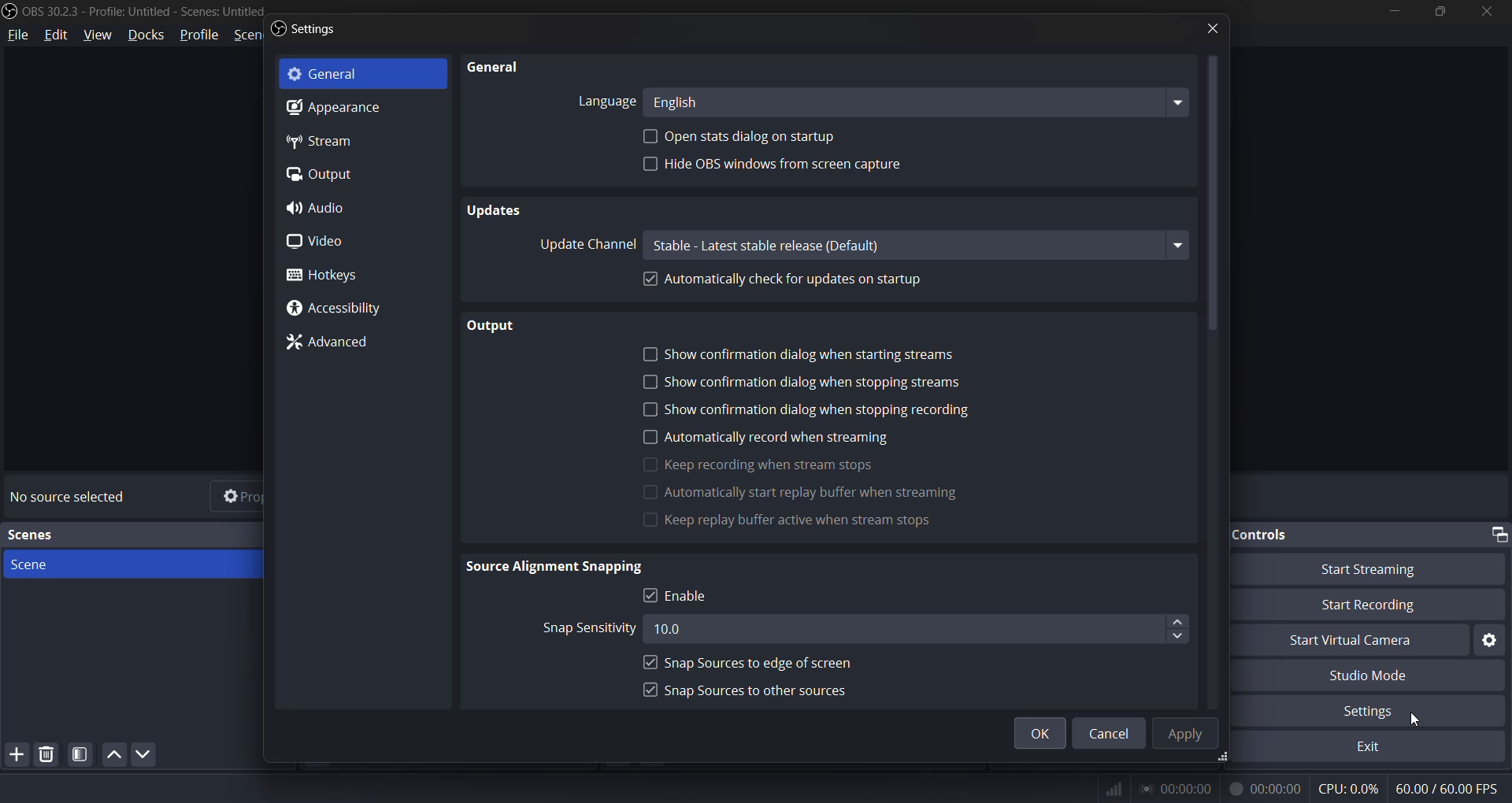  What do you see at coordinates (494, 212) in the screenshot?
I see `updates` at bounding box center [494, 212].